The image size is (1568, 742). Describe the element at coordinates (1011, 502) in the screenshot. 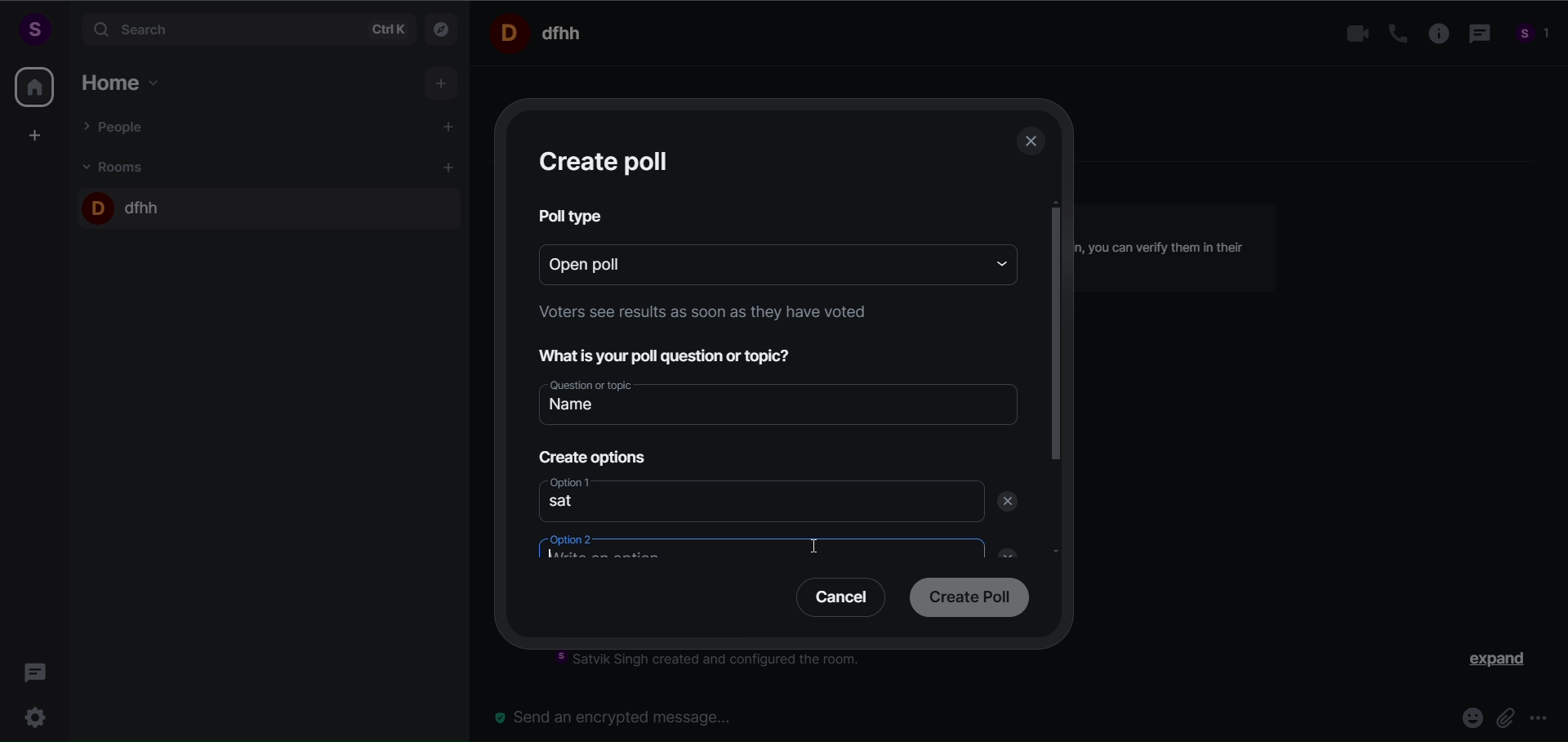

I see `remove` at that location.